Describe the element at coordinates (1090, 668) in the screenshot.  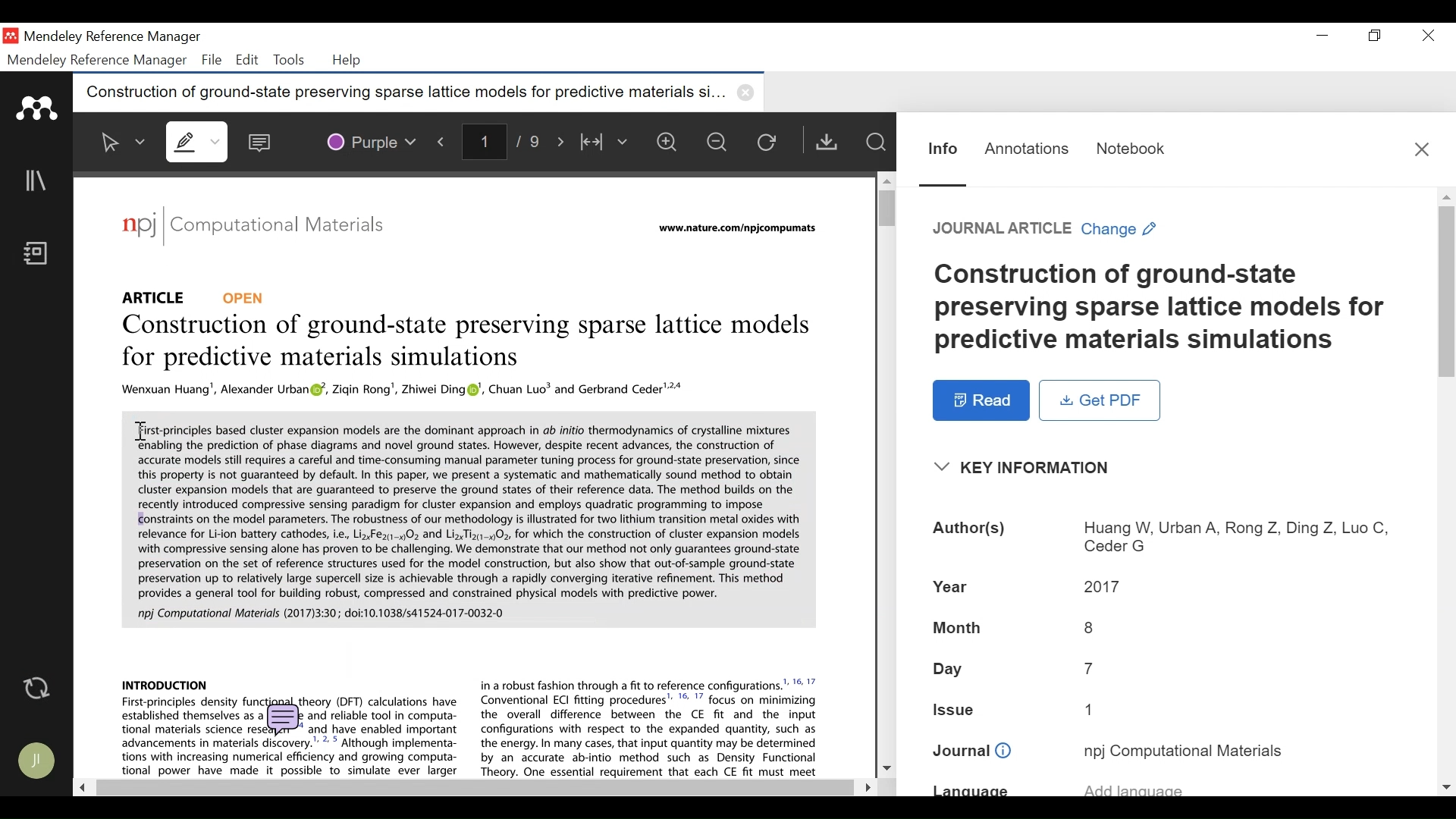
I see `Day` at that location.